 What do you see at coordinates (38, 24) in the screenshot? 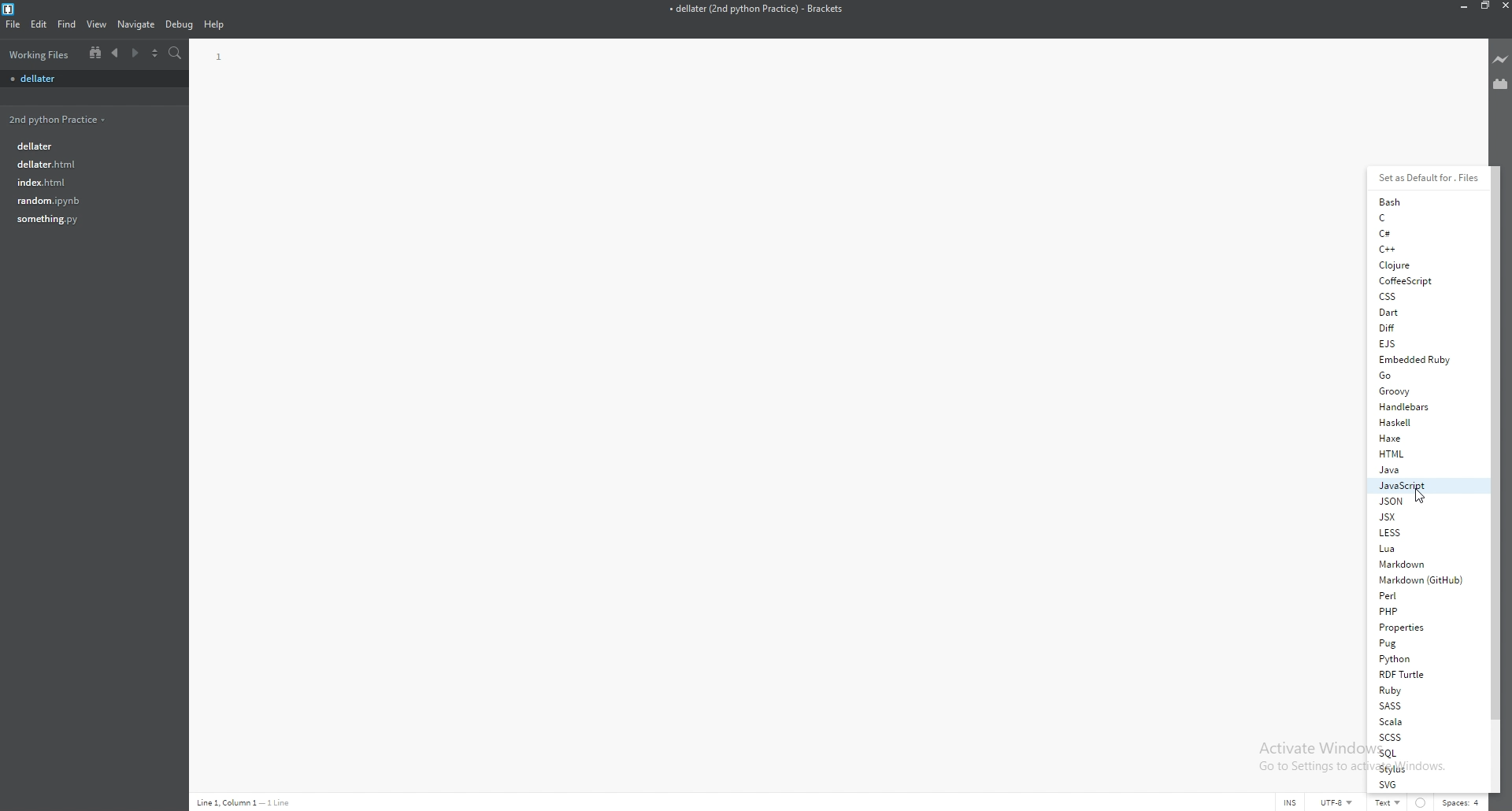
I see `edit` at bounding box center [38, 24].